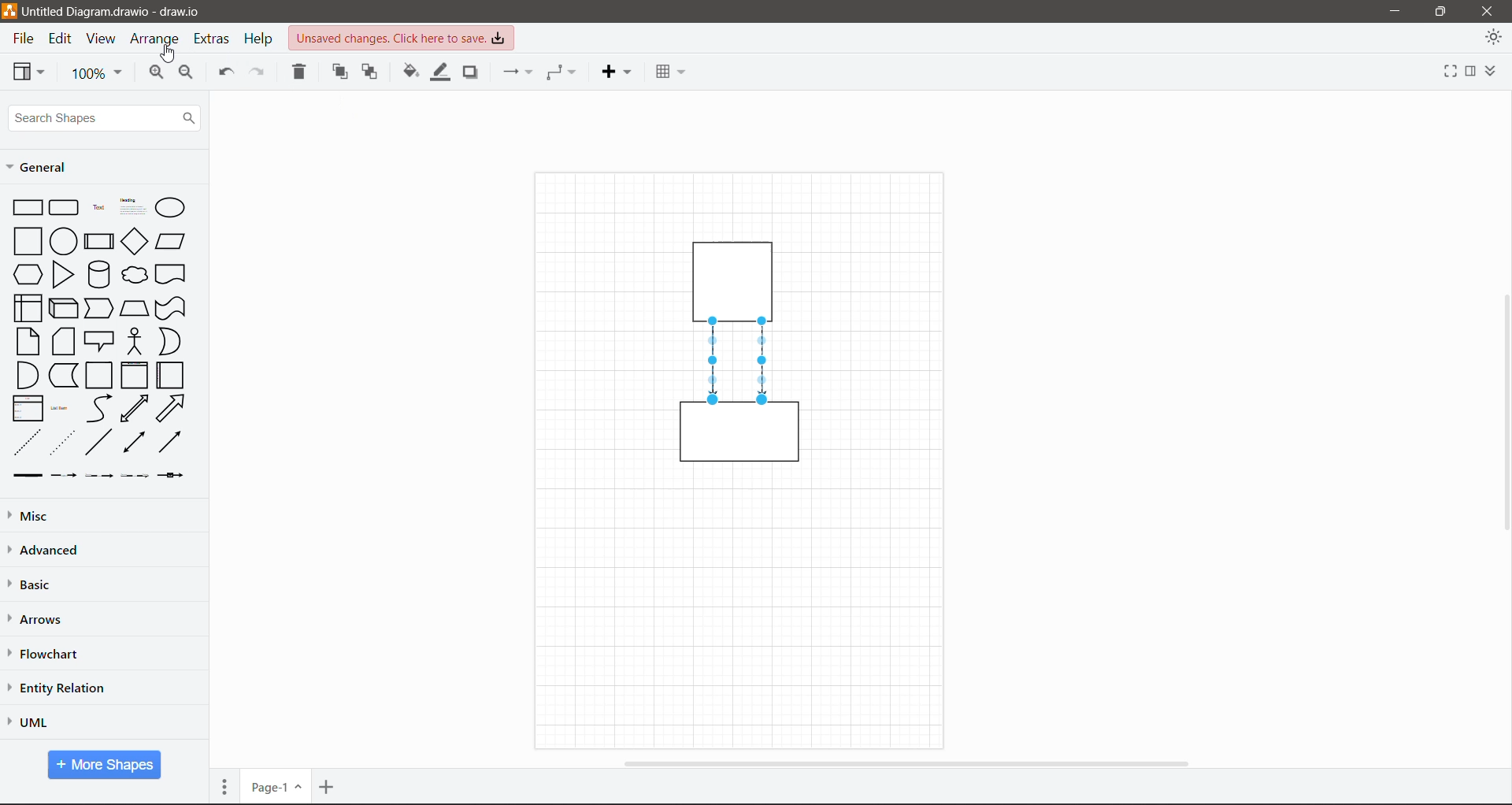  Describe the element at coordinates (562, 72) in the screenshot. I see `Waypoints` at that location.